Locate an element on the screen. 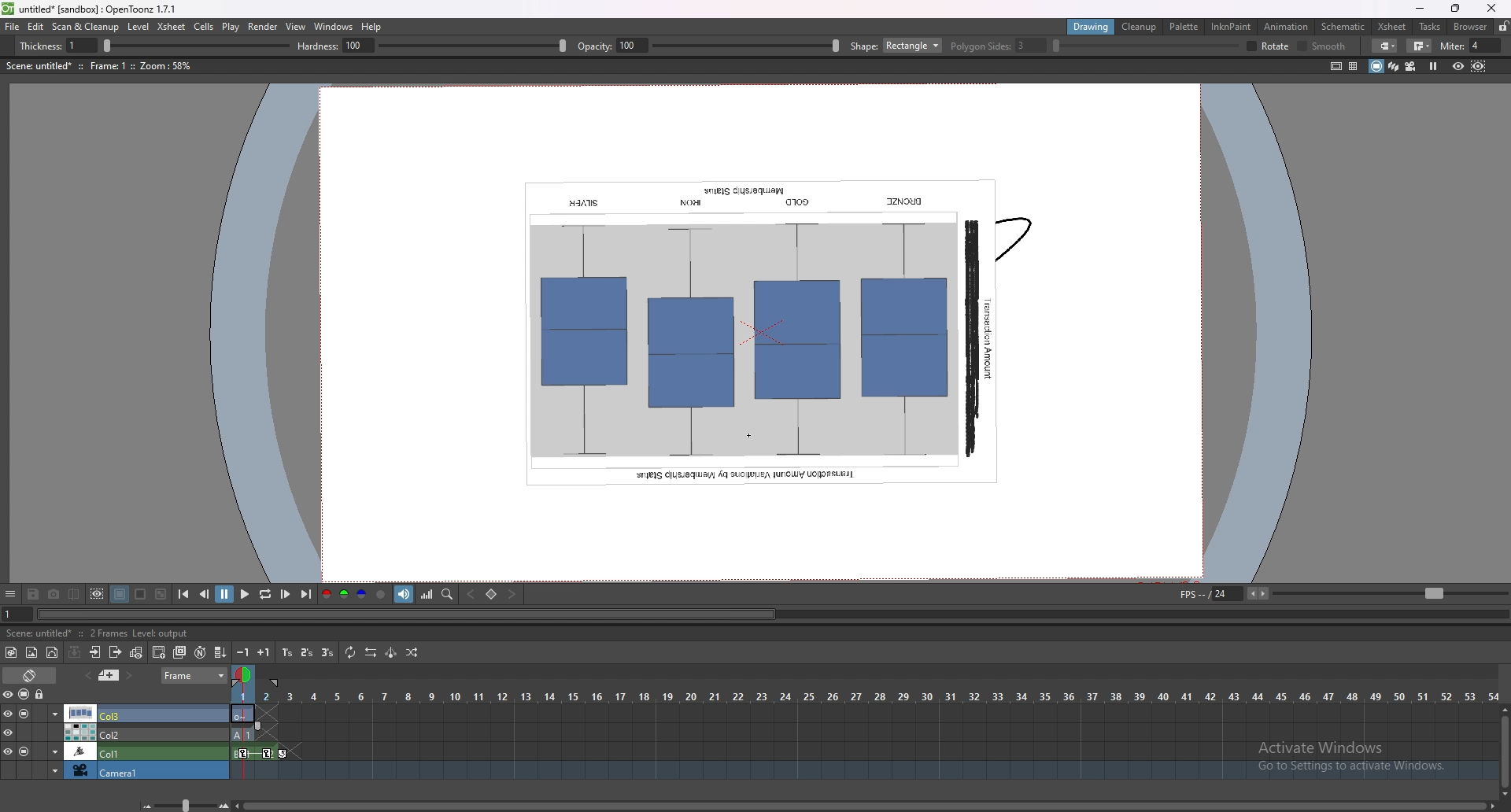 This screenshot has height=812, width=1511. inknpaint is located at coordinates (1231, 27).